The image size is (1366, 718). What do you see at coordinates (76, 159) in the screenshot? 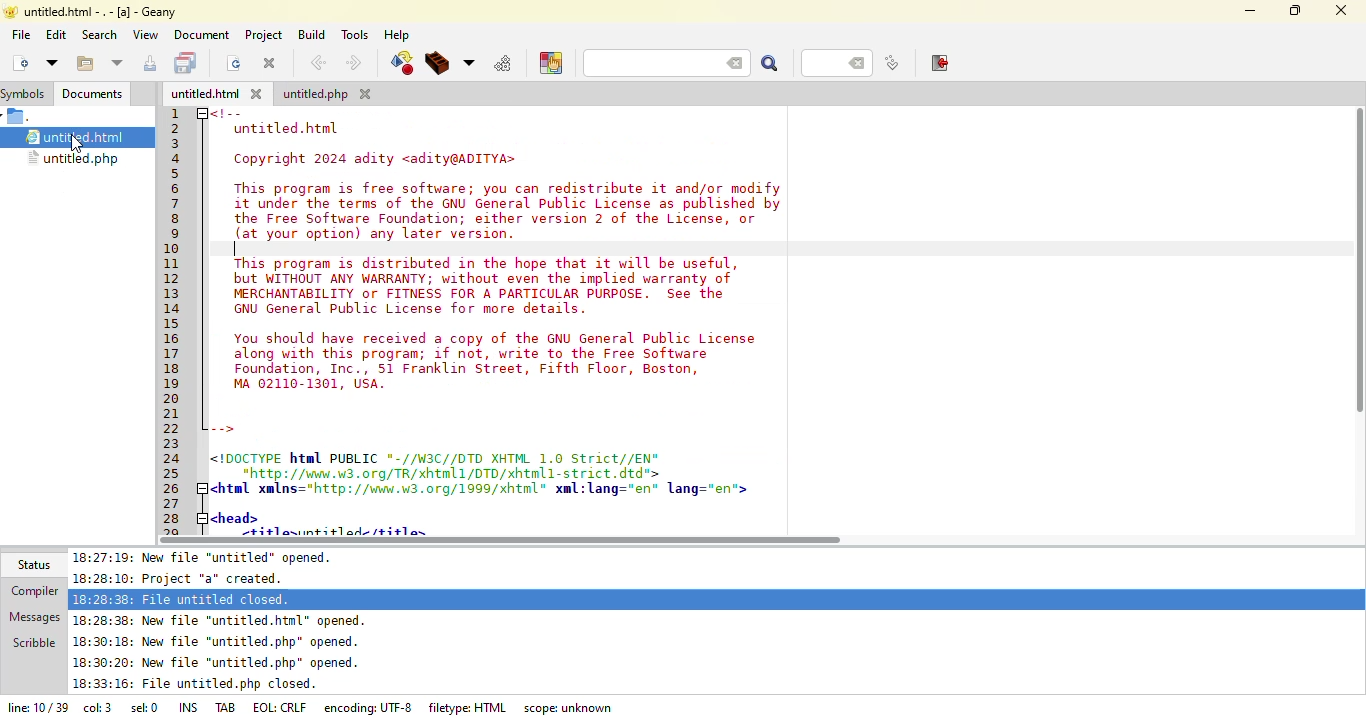
I see `php` at bounding box center [76, 159].